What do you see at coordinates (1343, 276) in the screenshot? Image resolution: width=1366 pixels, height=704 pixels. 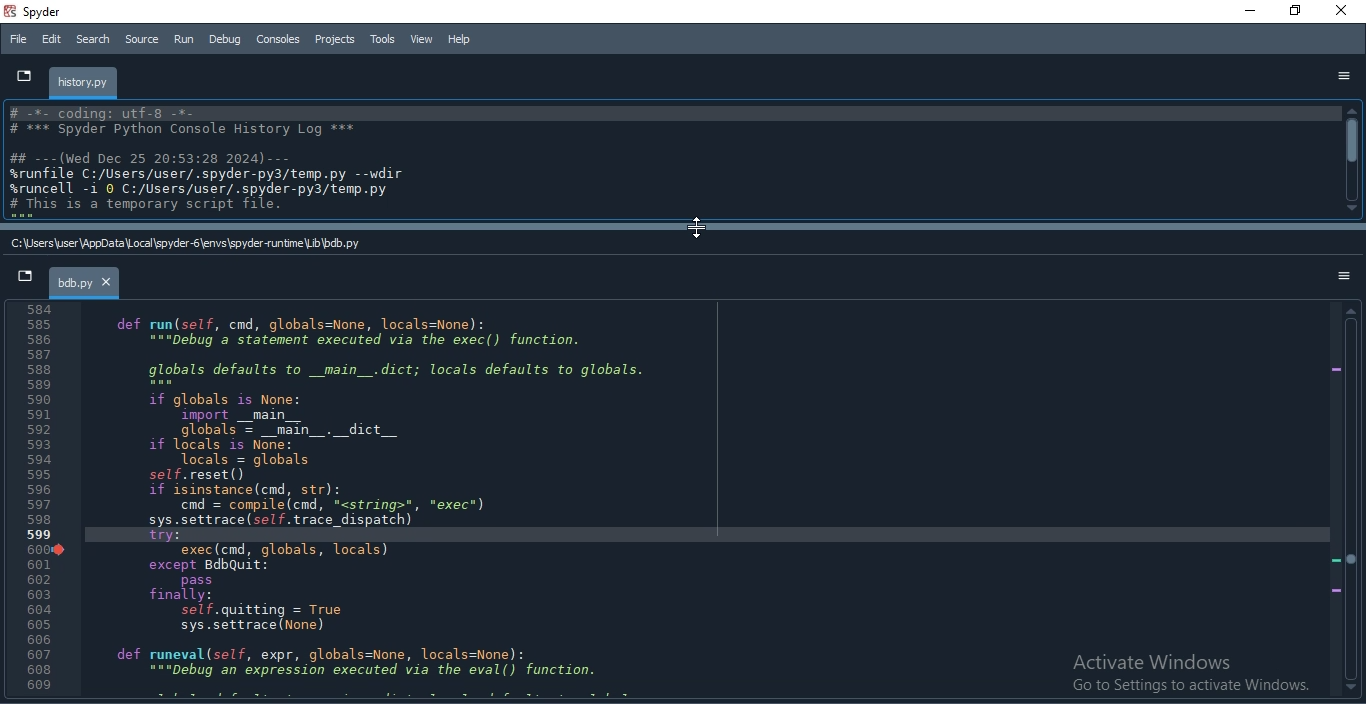 I see `options` at bounding box center [1343, 276].